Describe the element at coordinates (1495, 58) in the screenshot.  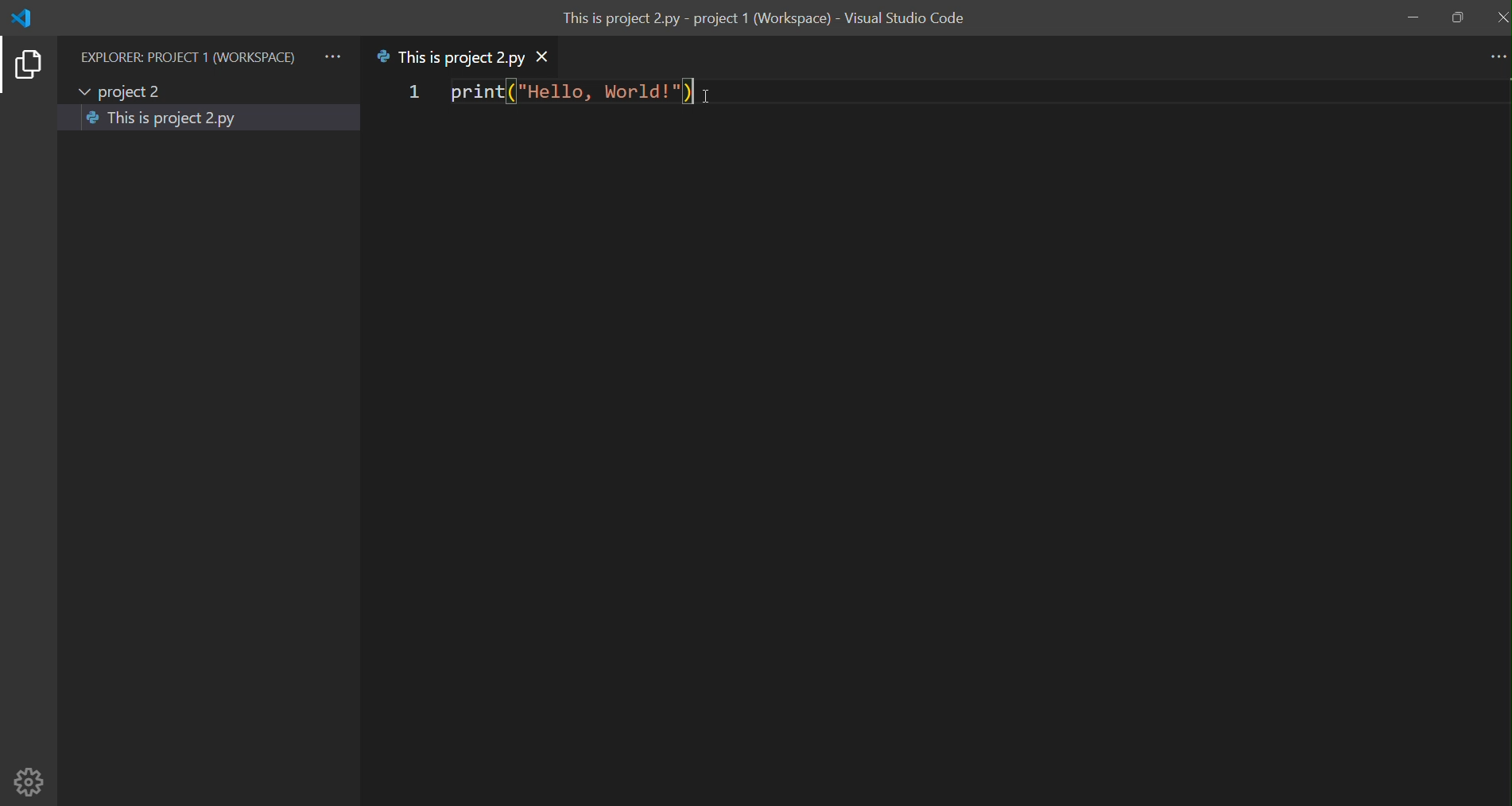
I see `more actions` at that location.